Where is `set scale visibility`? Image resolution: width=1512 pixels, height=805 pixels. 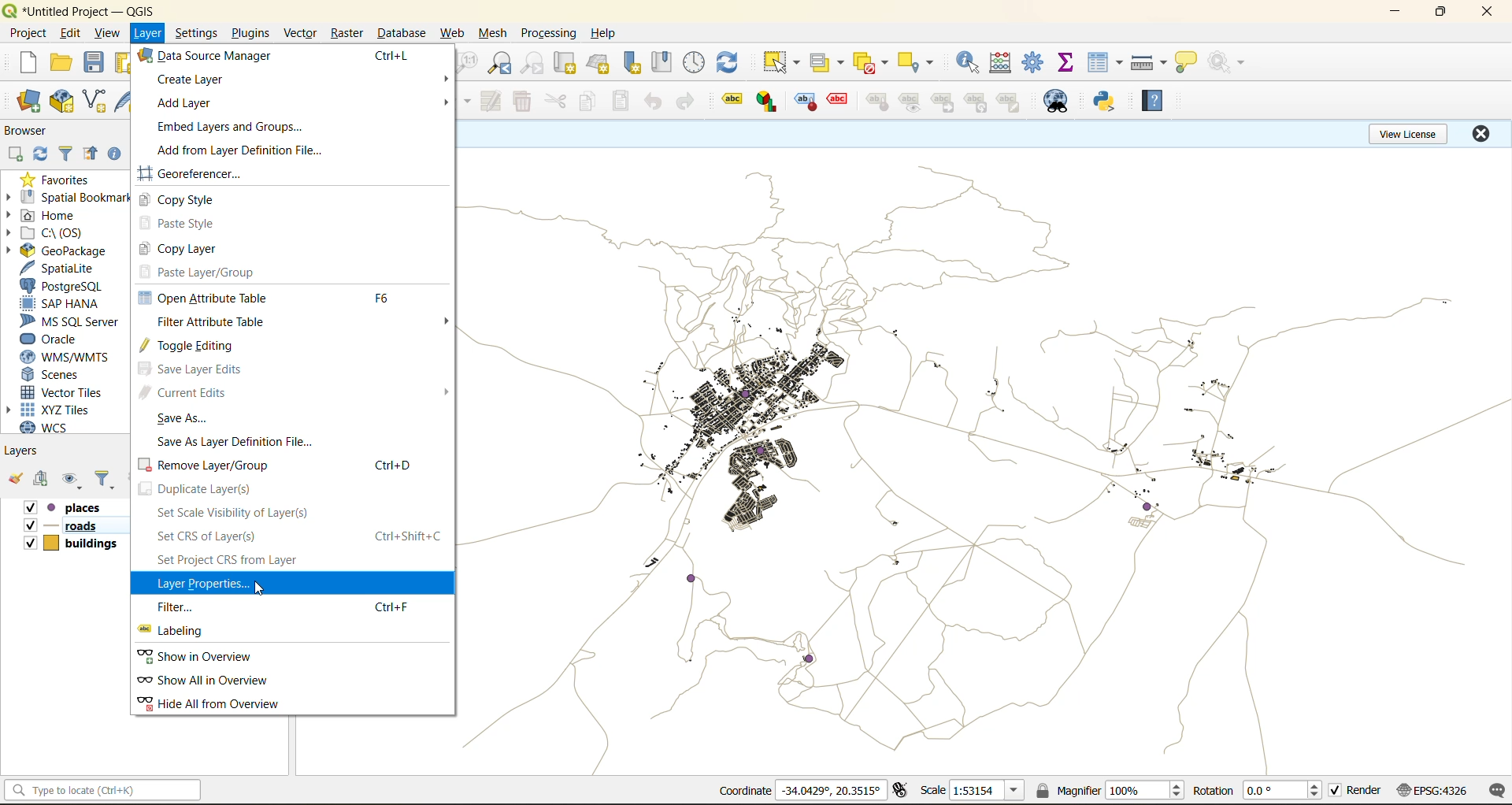 set scale visibility is located at coordinates (233, 514).